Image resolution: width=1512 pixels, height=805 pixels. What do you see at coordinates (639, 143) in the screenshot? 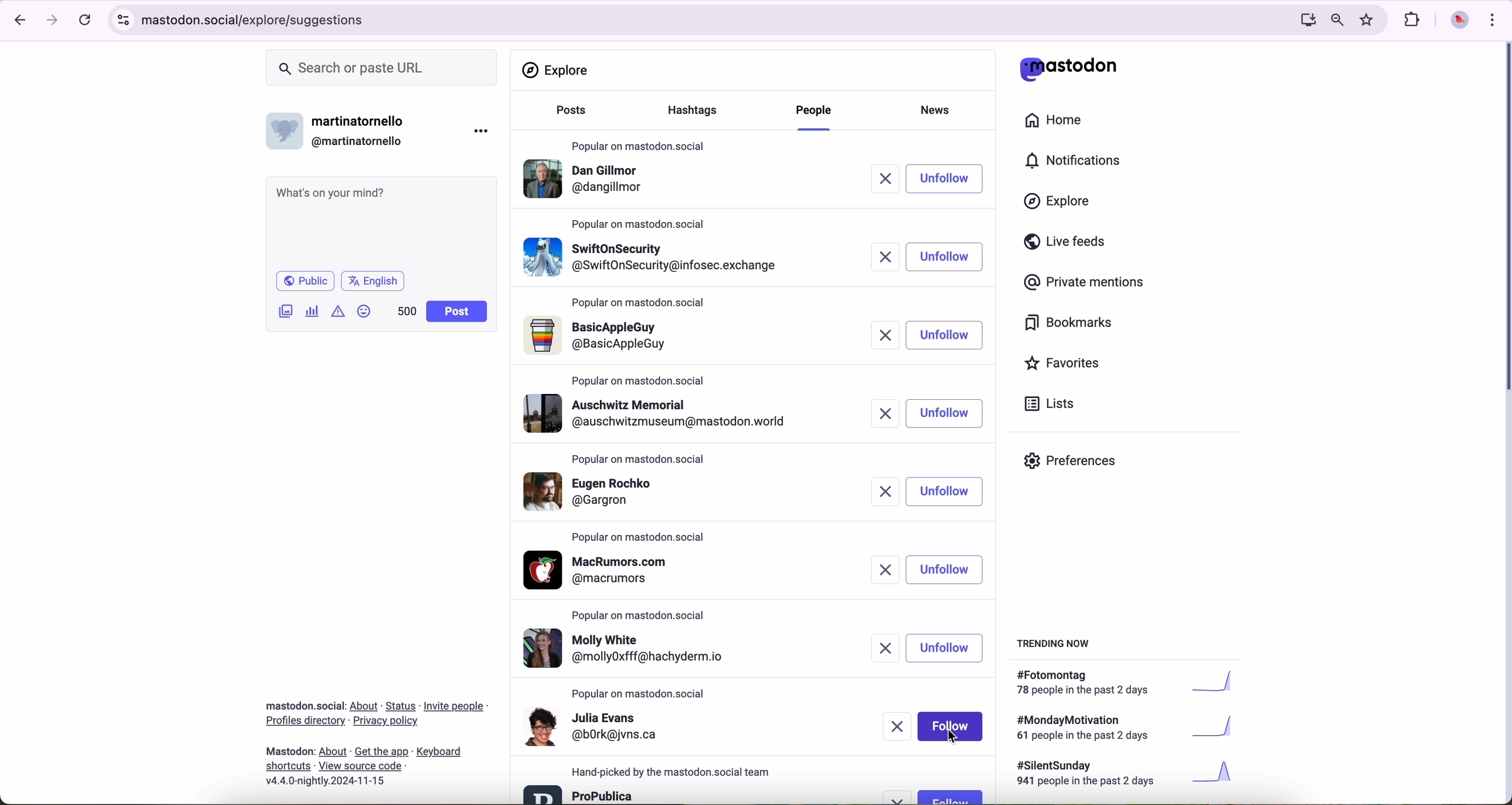
I see `popular on mastodon.social` at bounding box center [639, 143].